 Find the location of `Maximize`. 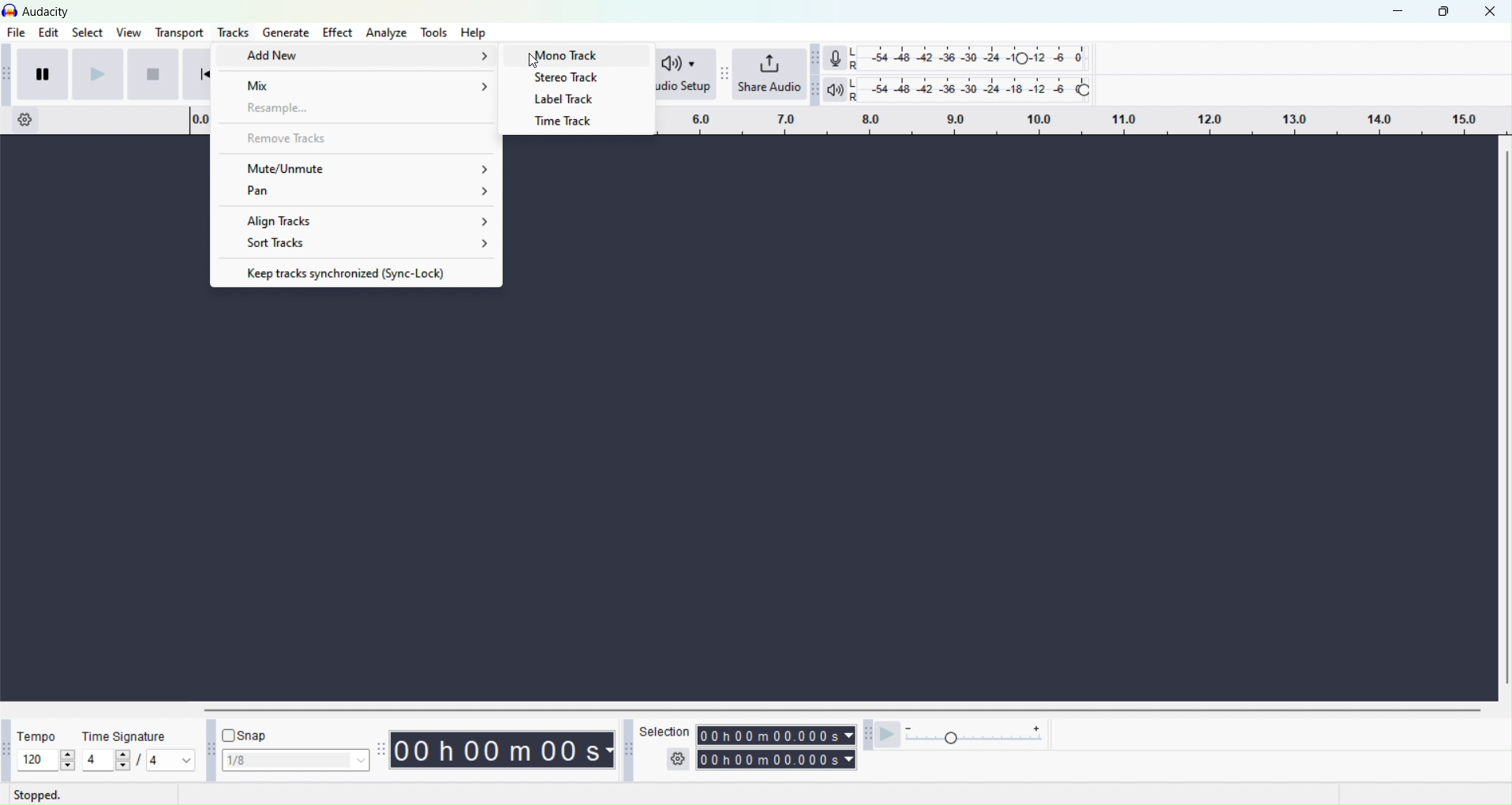

Maximize is located at coordinates (1446, 13).